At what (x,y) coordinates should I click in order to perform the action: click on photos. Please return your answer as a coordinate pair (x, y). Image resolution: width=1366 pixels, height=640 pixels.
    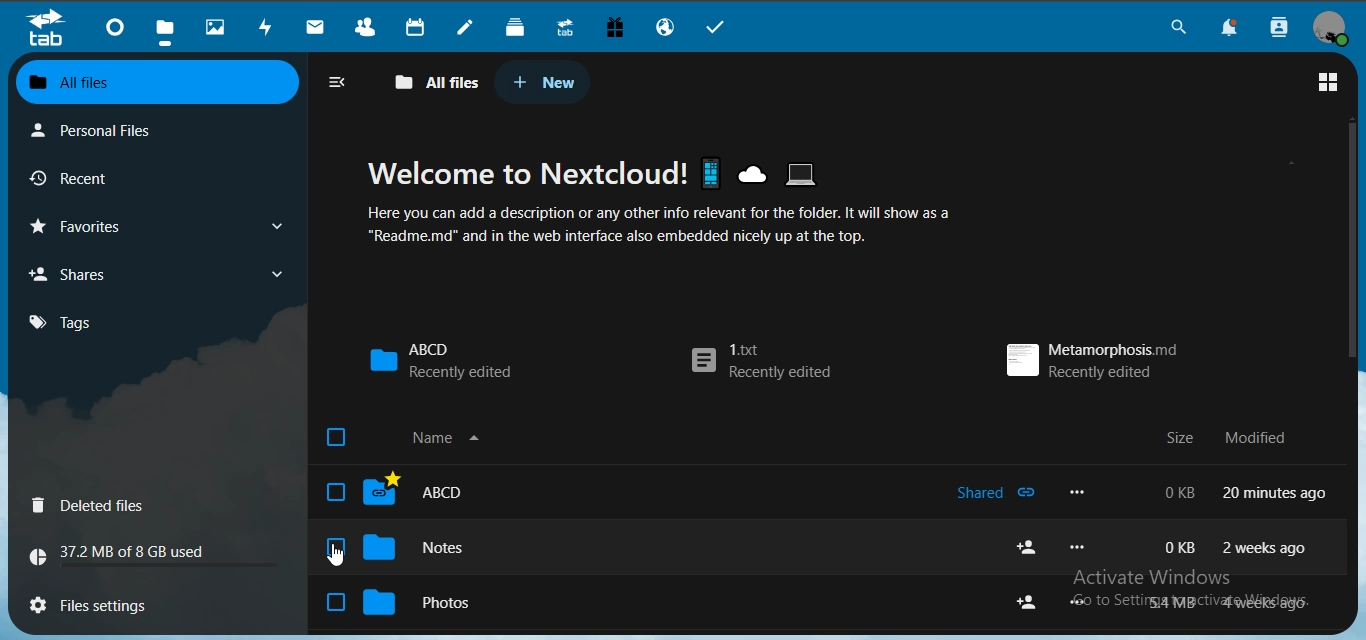
    Looking at the image, I should click on (464, 599).